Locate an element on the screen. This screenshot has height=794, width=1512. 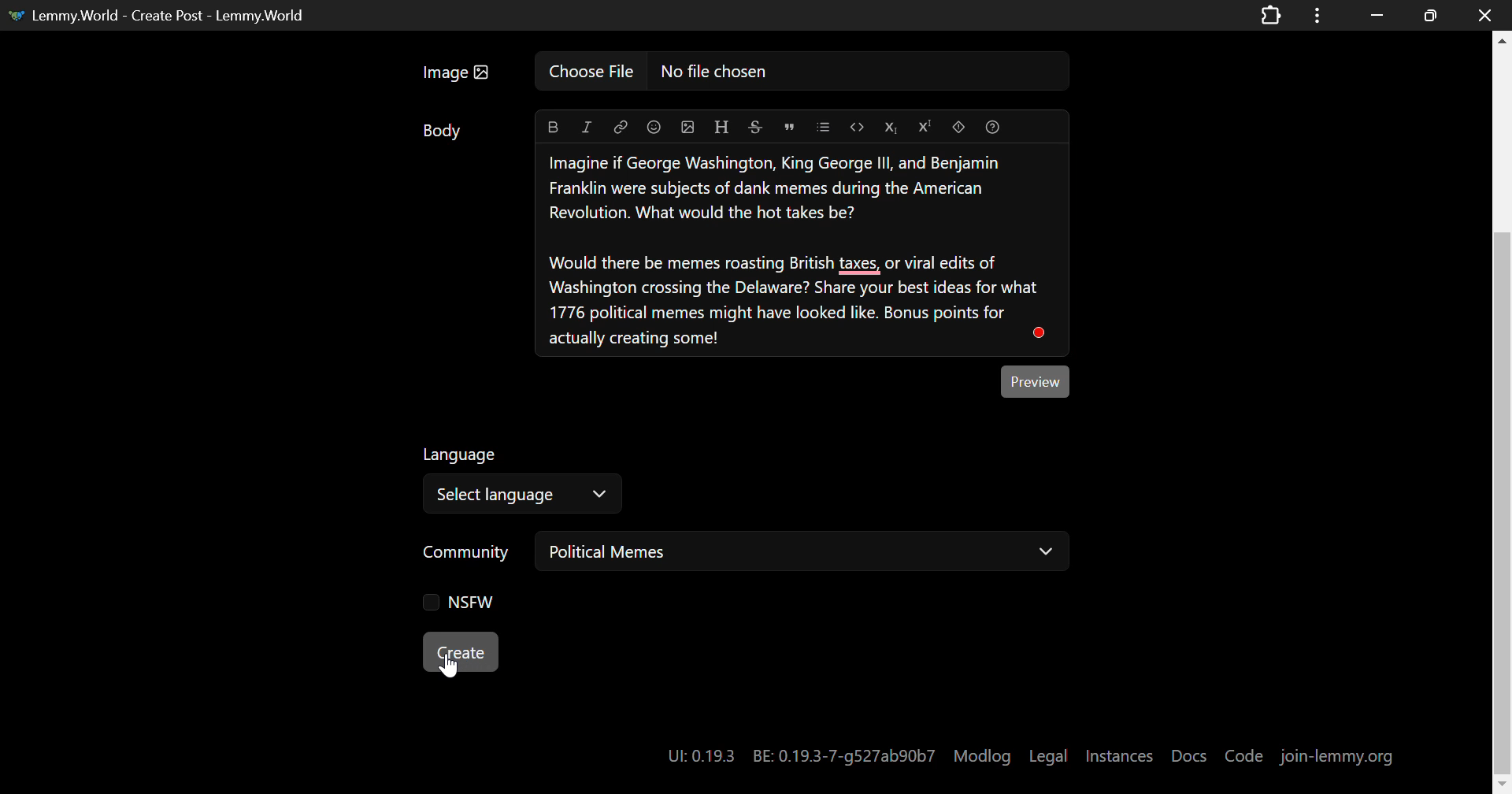
Formatting Help is located at coordinates (991, 128).